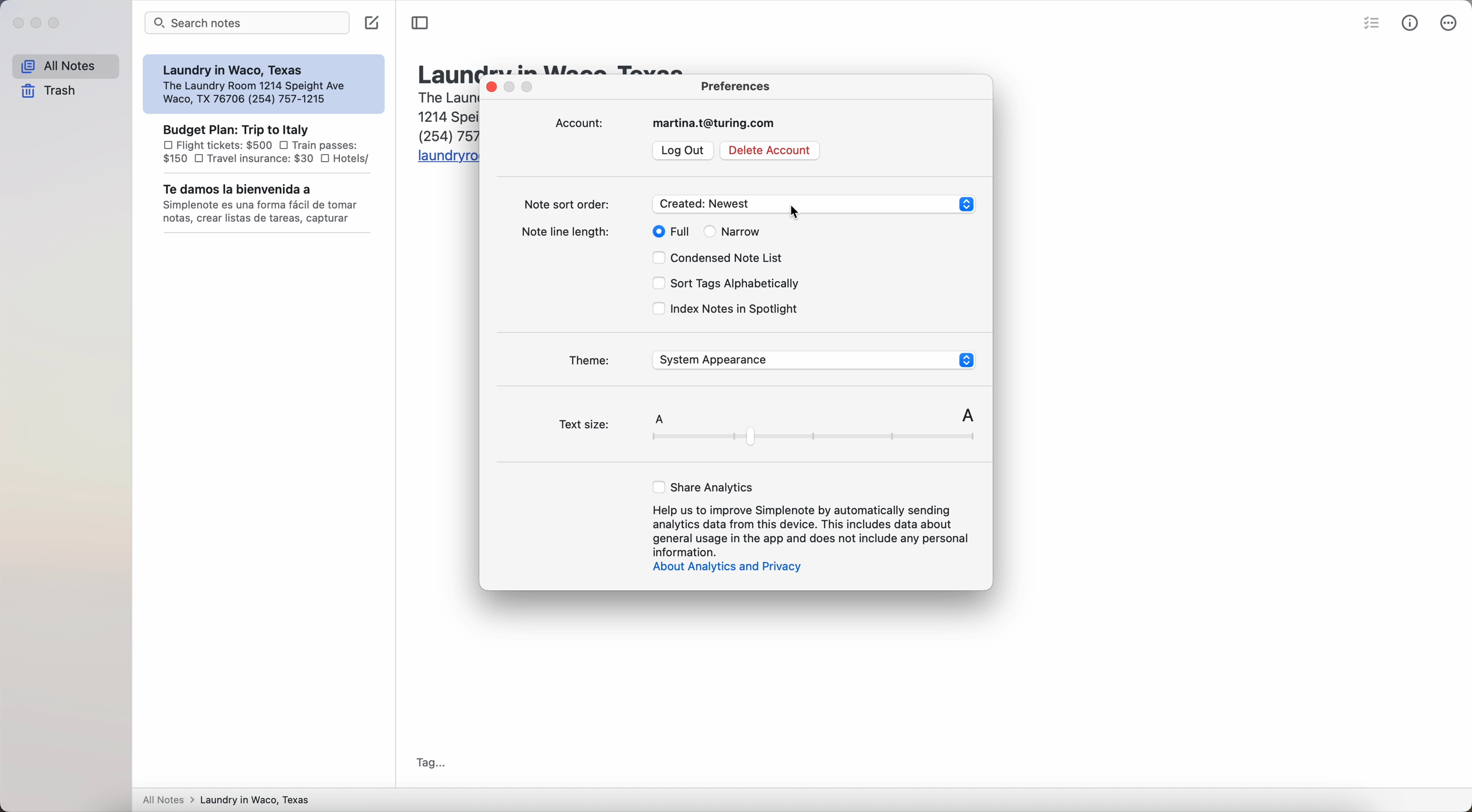 Image resolution: width=1472 pixels, height=812 pixels. What do you see at coordinates (433, 762) in the screenshot?
I see `tag` at bounding box center [433, 762].